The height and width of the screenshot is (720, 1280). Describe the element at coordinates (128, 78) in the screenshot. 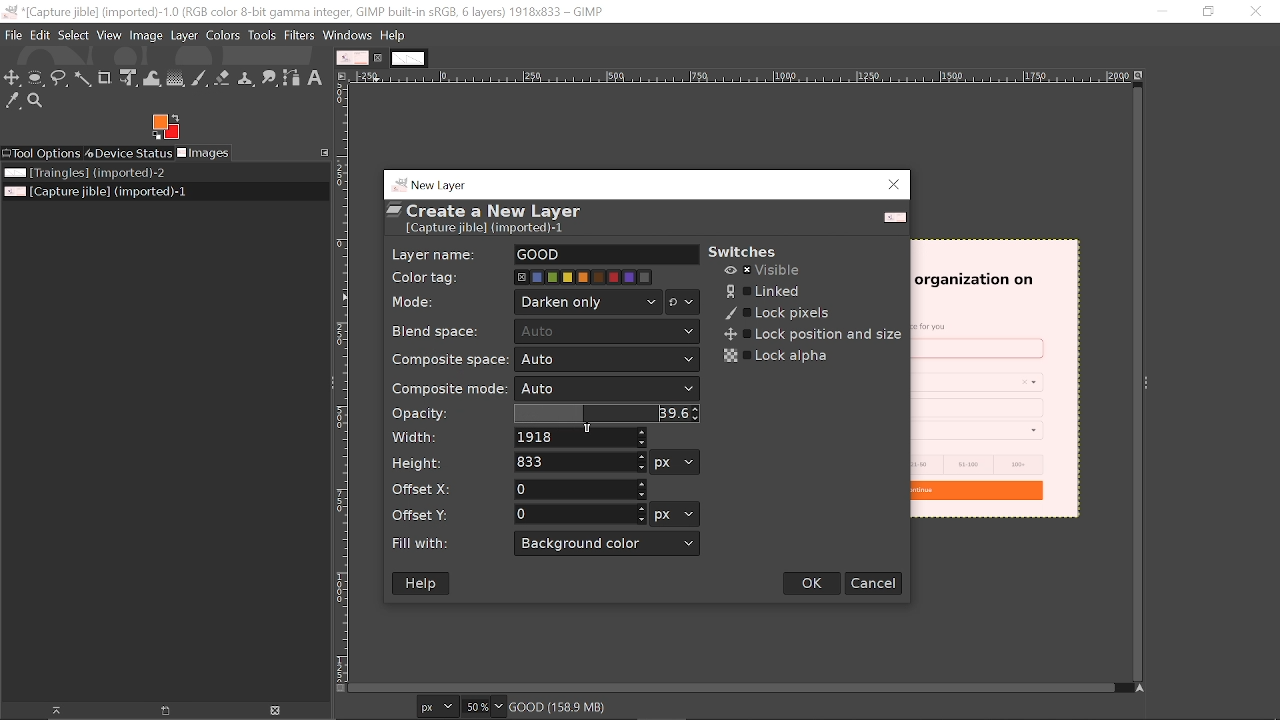

I see `Unified transform tool` at that location.